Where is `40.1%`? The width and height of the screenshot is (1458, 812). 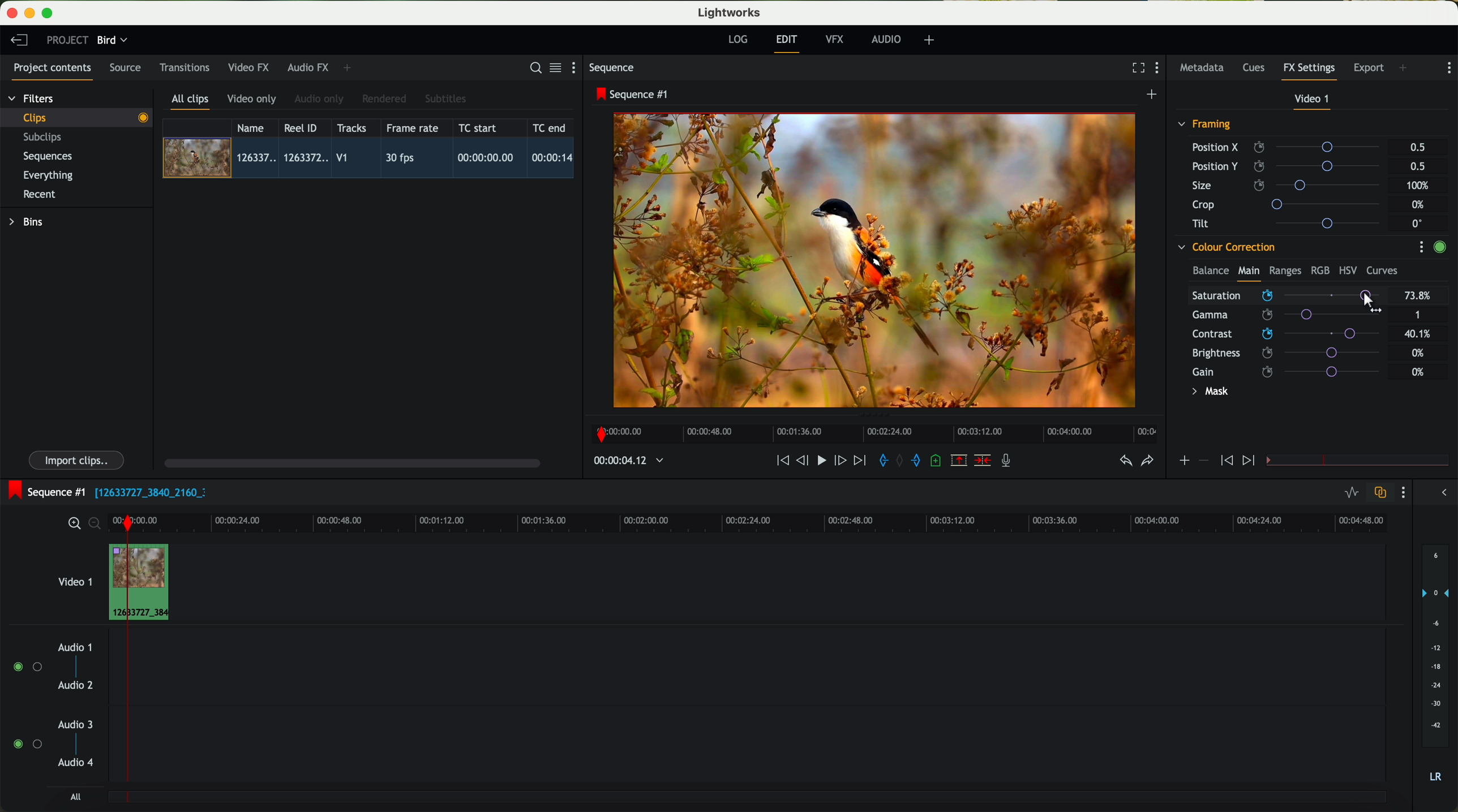 40.1% is located at coordinates (1421, 334).